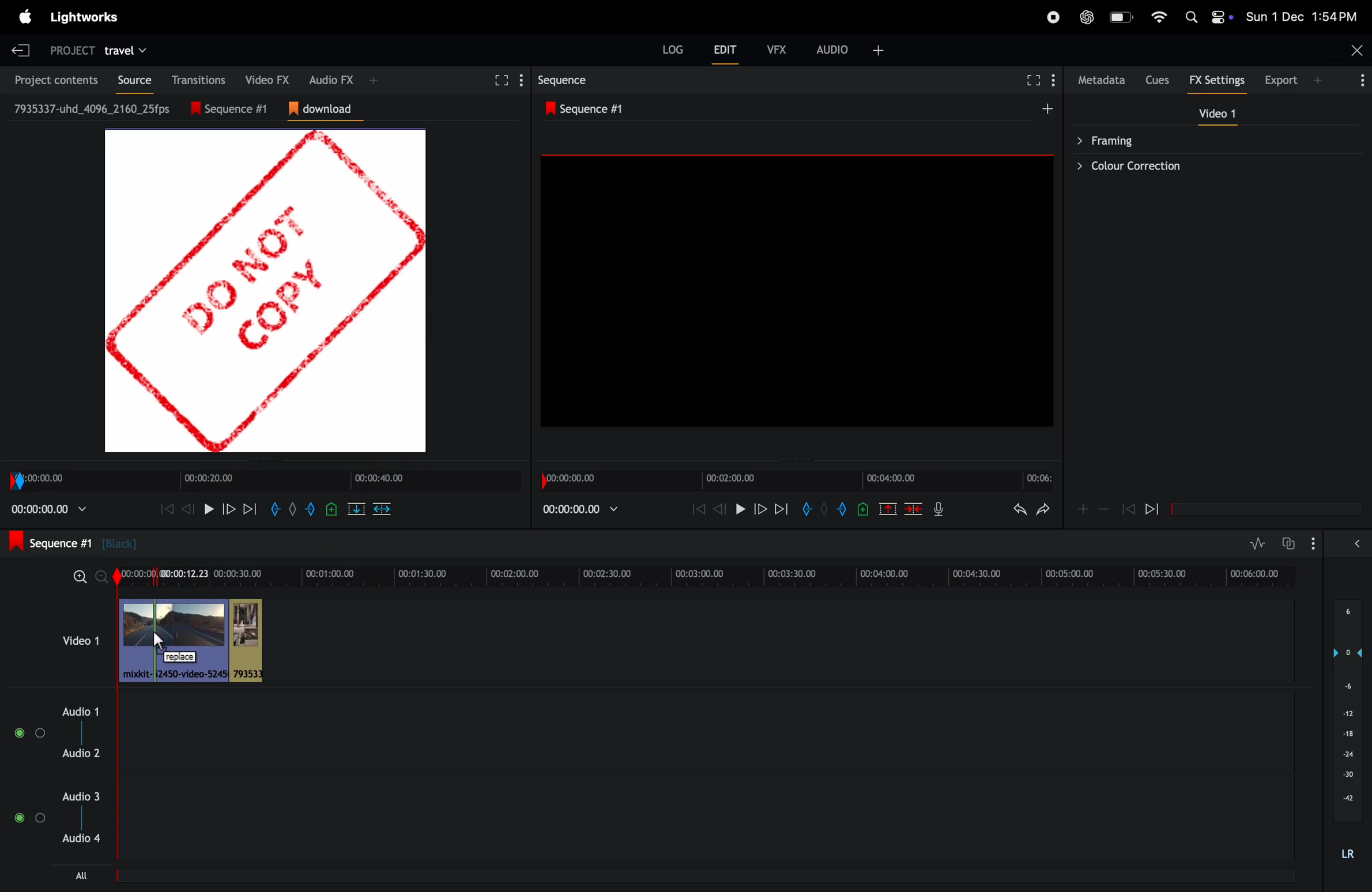 This screenshot has width=1372, height=892. Describe the element at coordinates (311, 509) in the screenshot. I see `add out` at that location.